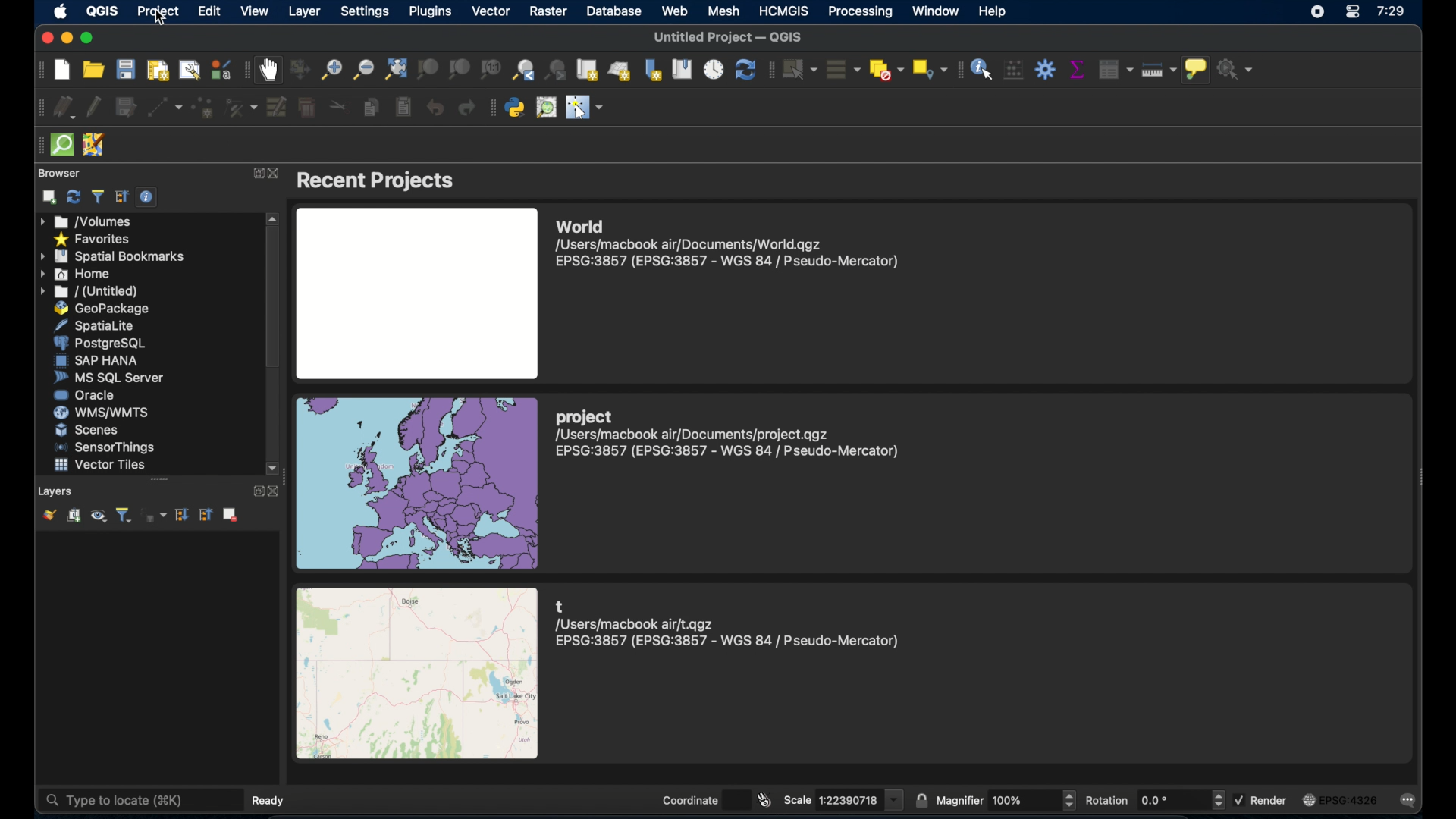 The width and height of the screenshot is (1456, 819). Describe the element at coordinates (403, 108) in the screenshot. I see `paste features` at that location.